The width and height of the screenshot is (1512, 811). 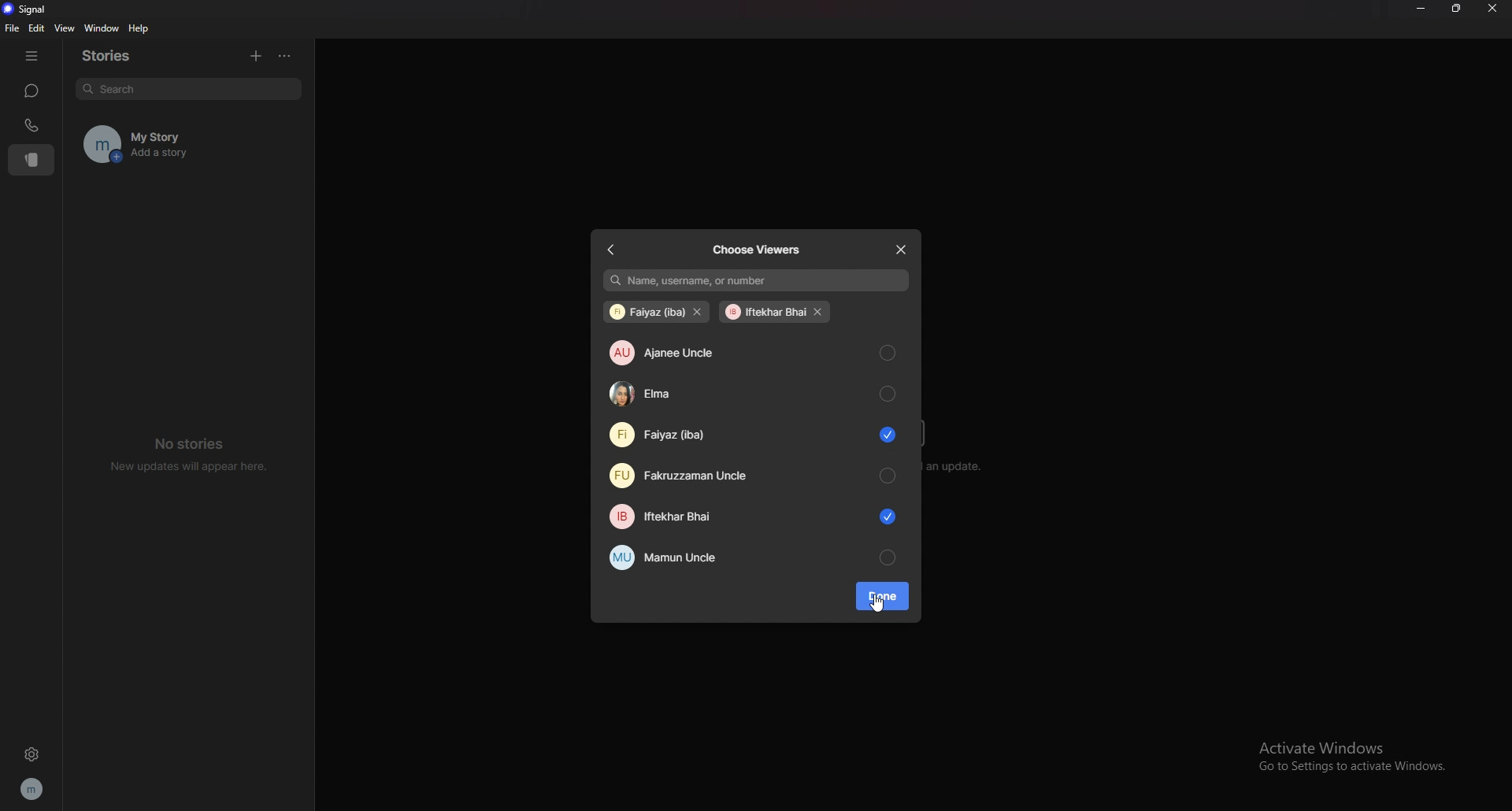 I want to click on help, so click(x=139, y=29).